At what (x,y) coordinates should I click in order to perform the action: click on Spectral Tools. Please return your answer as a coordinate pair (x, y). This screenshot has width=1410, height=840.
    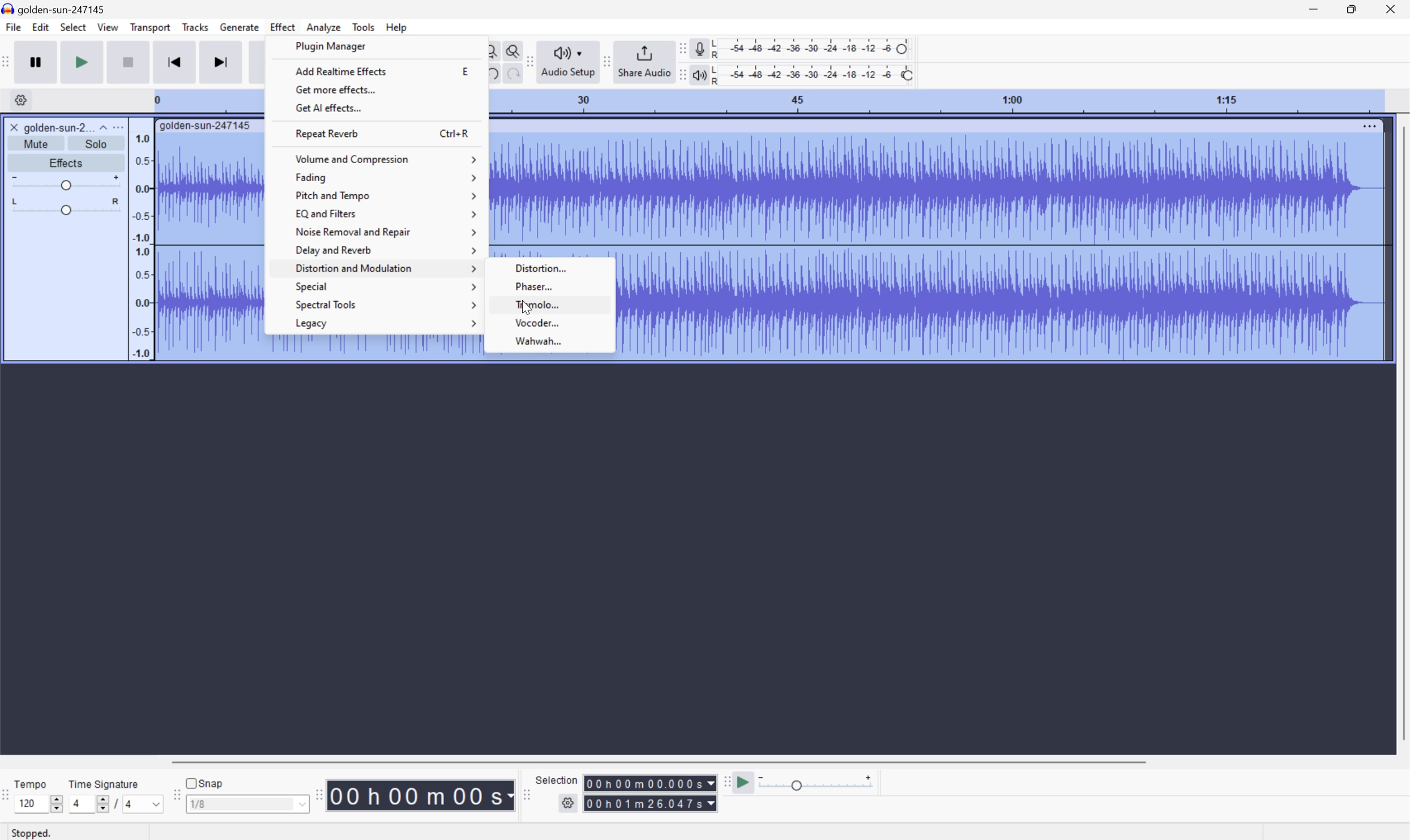
    Looking at the image, I should click on (383, 305).